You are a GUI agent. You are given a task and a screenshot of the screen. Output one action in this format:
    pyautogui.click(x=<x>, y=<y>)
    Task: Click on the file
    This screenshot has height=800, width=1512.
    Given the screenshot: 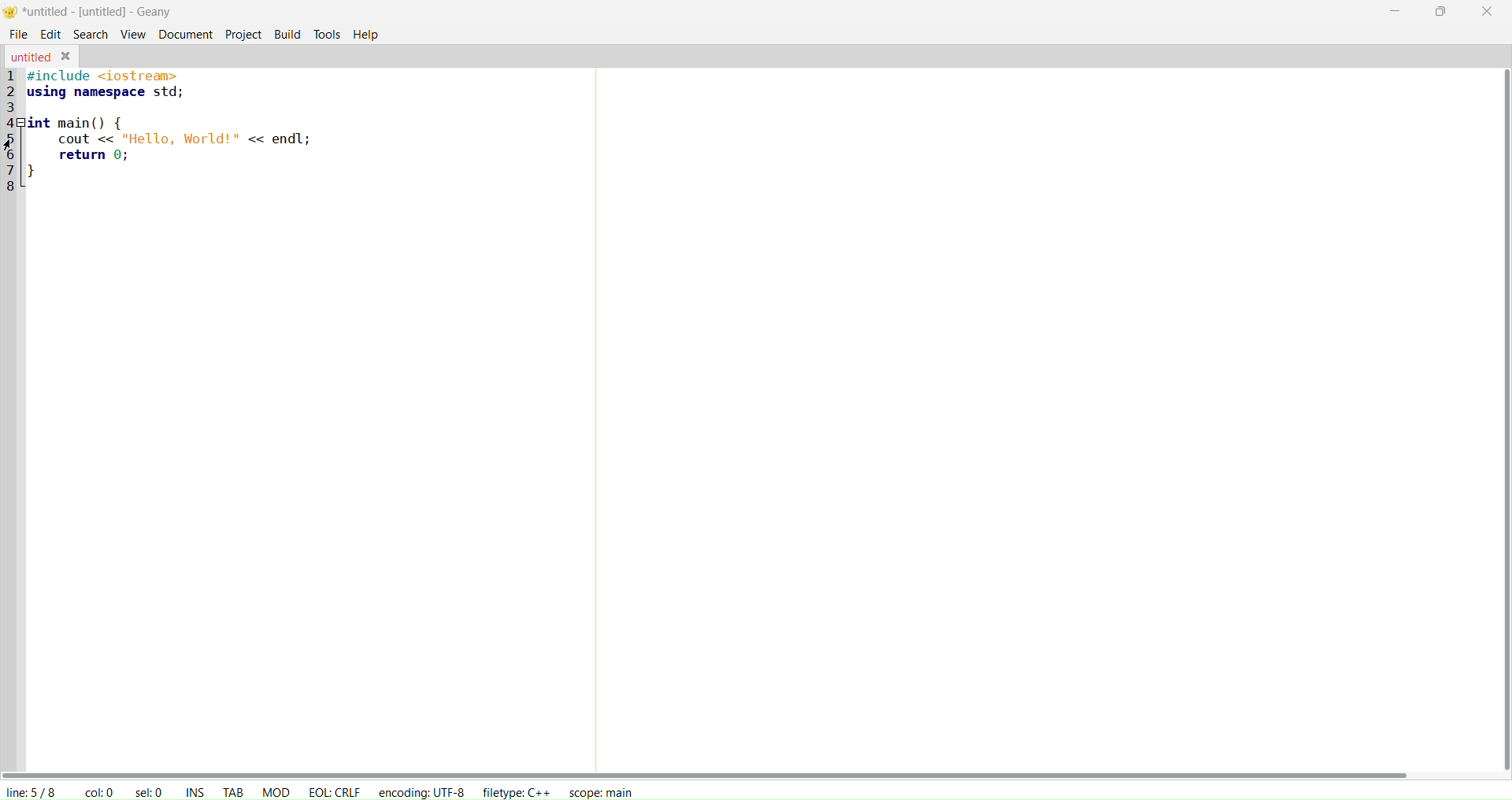 What is the action you would take?
    pyautogui.click(x=17, y=34)
    